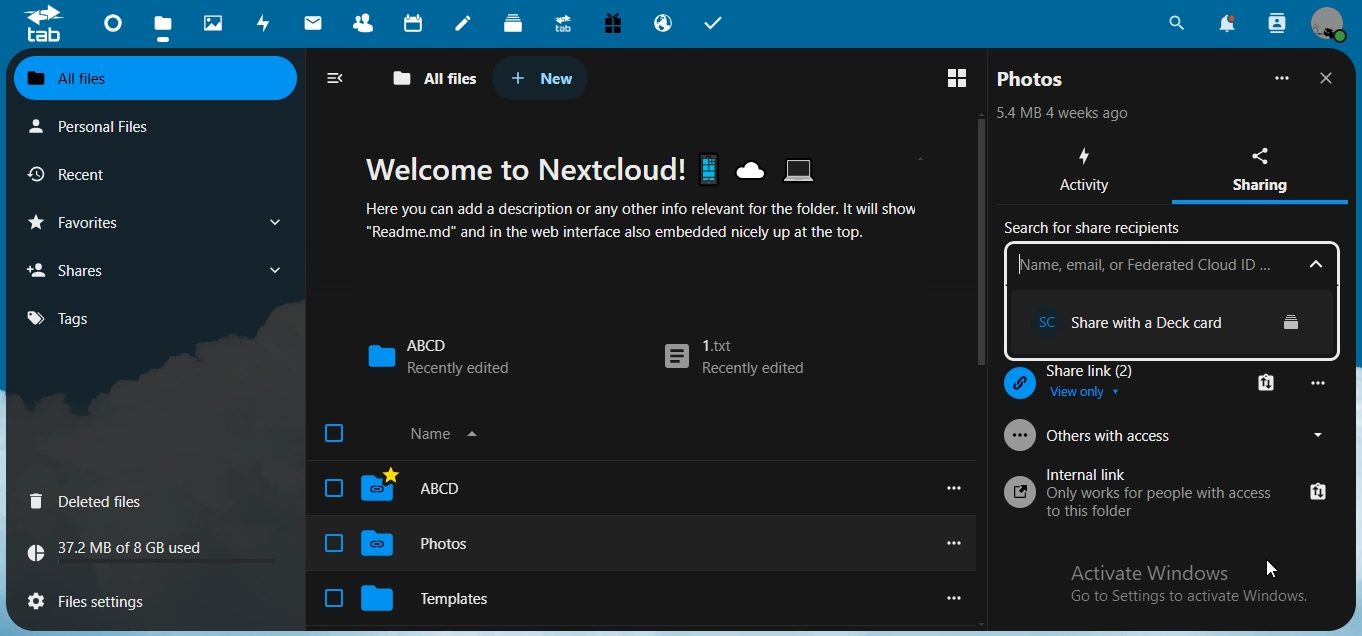 The height and width of the screenshot is (636, 1362). I want to click on Cursor, so click(1271, 567).